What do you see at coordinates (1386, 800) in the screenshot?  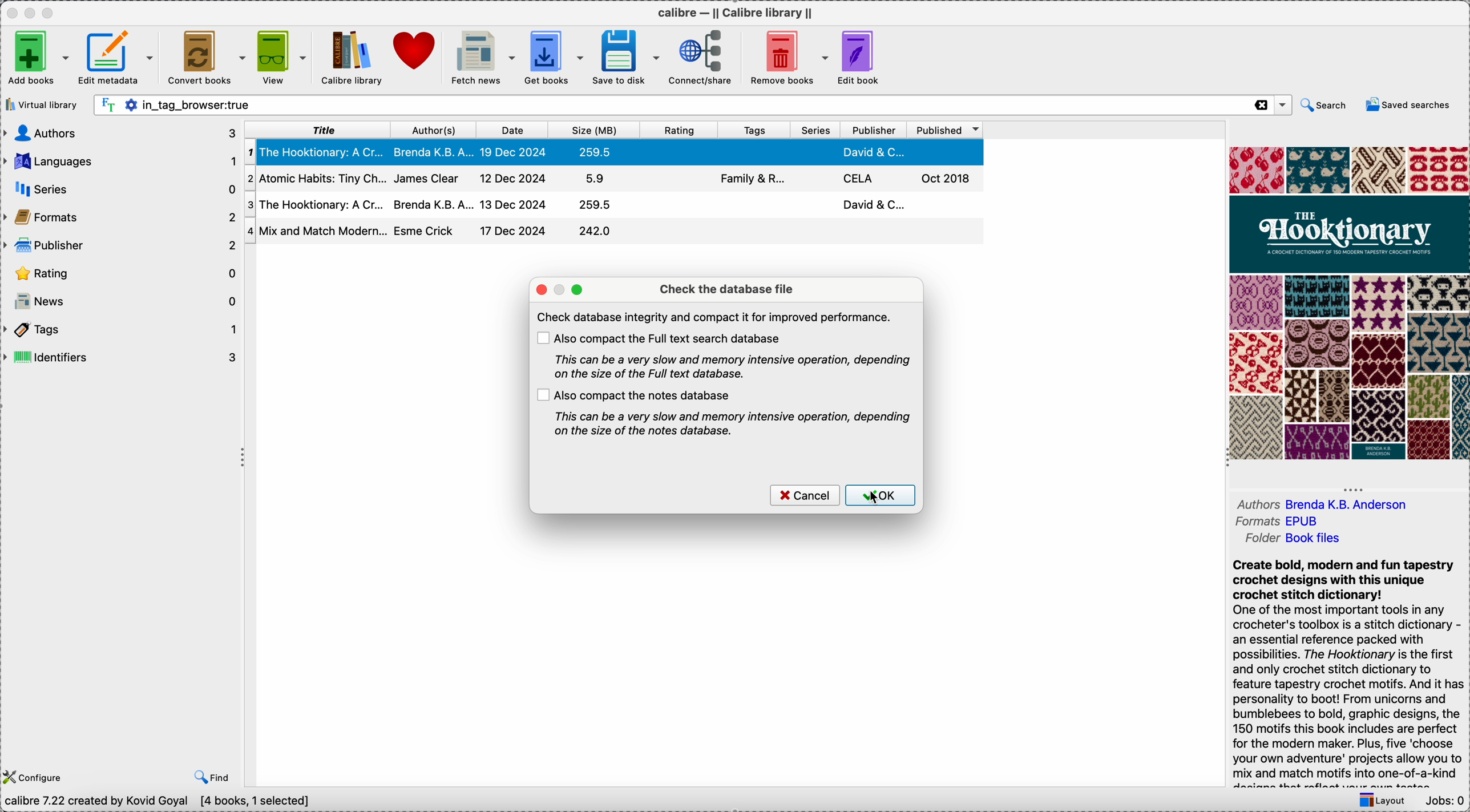 I see `layout` at bounding box center [1386, 800].